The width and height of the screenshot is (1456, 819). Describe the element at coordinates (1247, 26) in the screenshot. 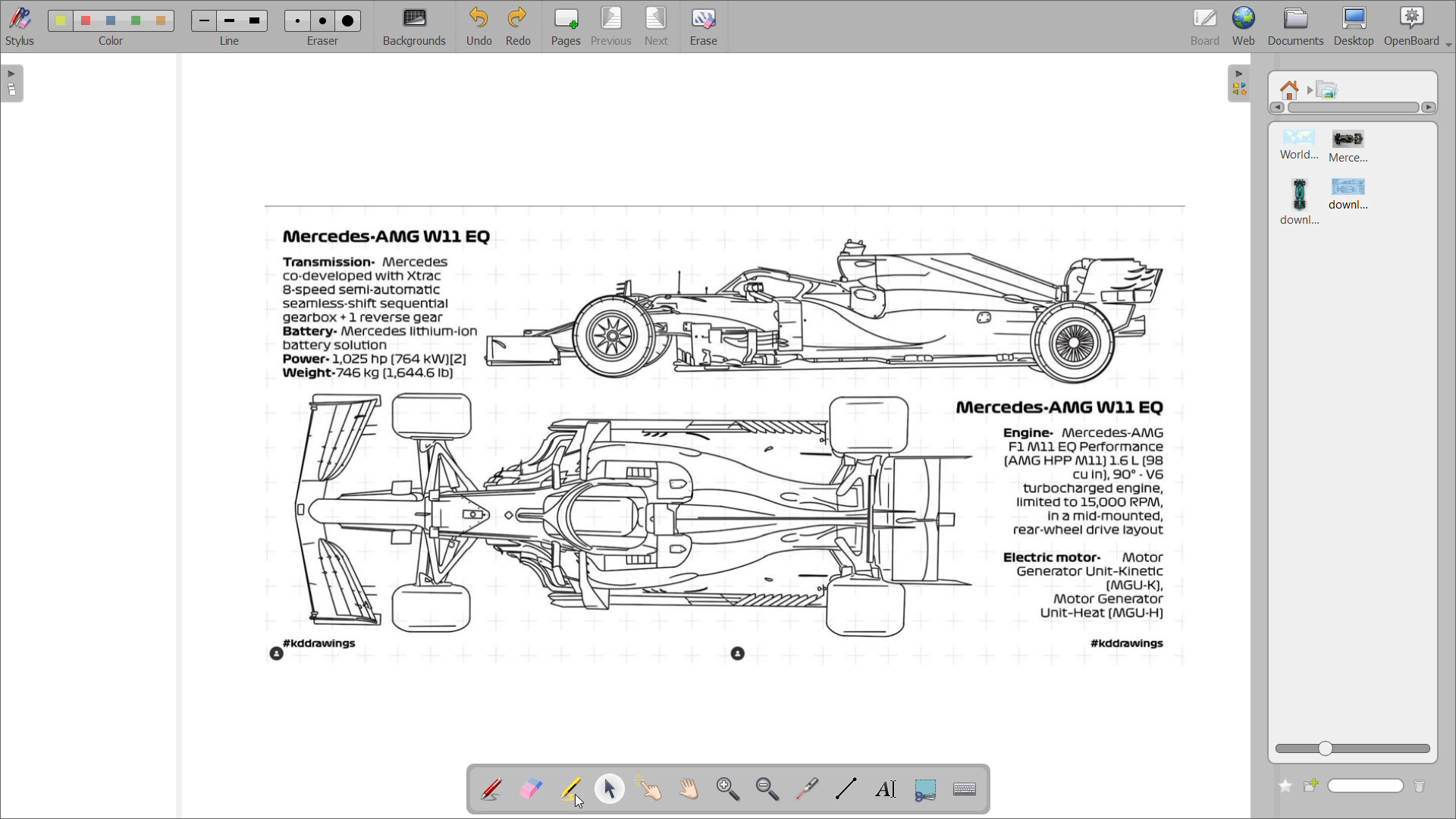

I see `web` at that location.